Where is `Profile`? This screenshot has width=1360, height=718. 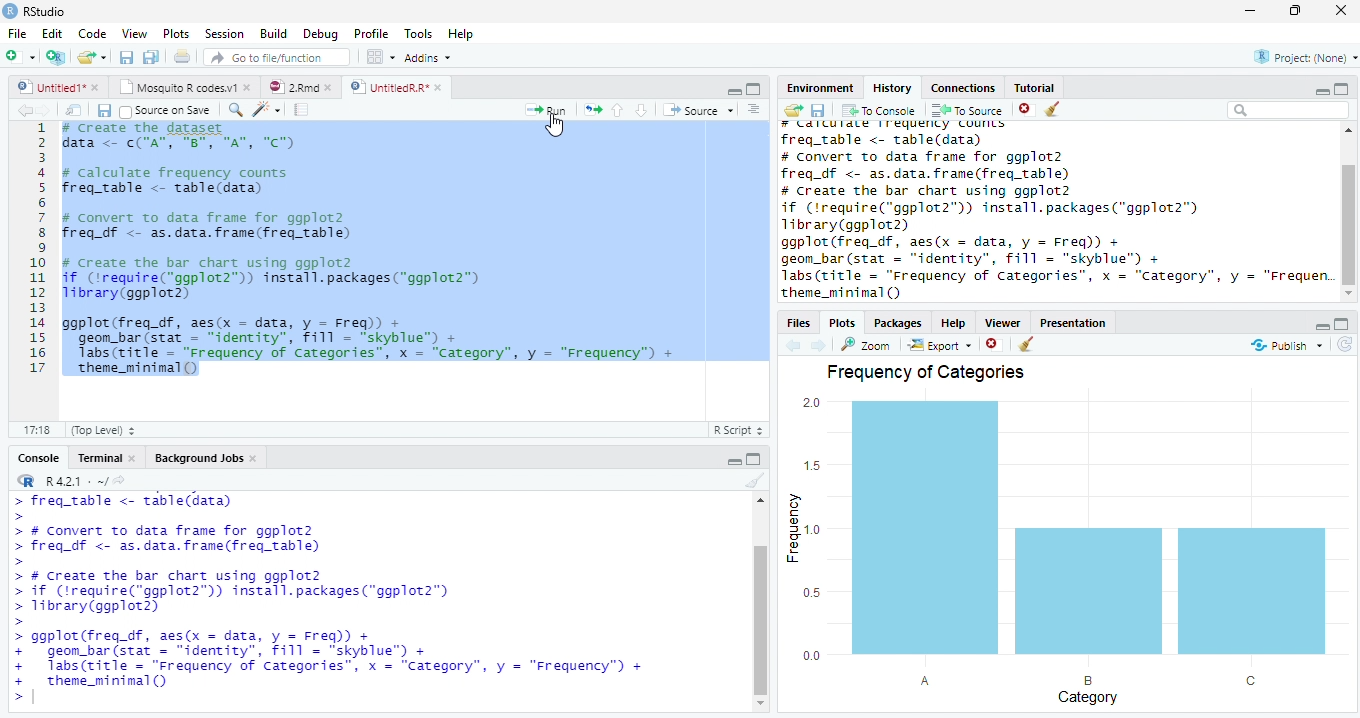 Profile is located at coordinates (371, 34).